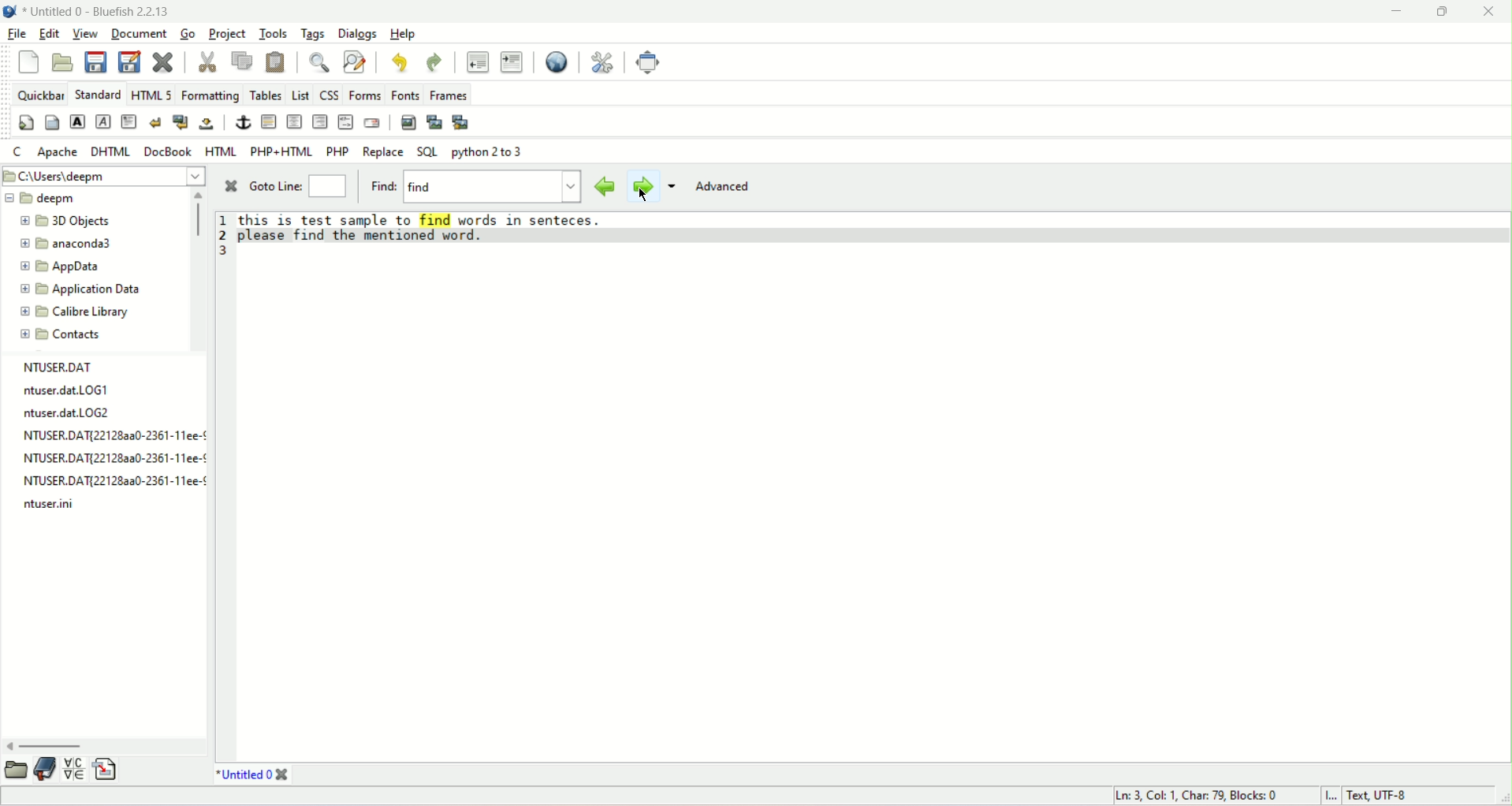  What do you see at coordinates (109, 481) in the screenshot?
I see `NTUSER.DAT{221282a0-2361-11ee-` at bounding box center [109, 481].